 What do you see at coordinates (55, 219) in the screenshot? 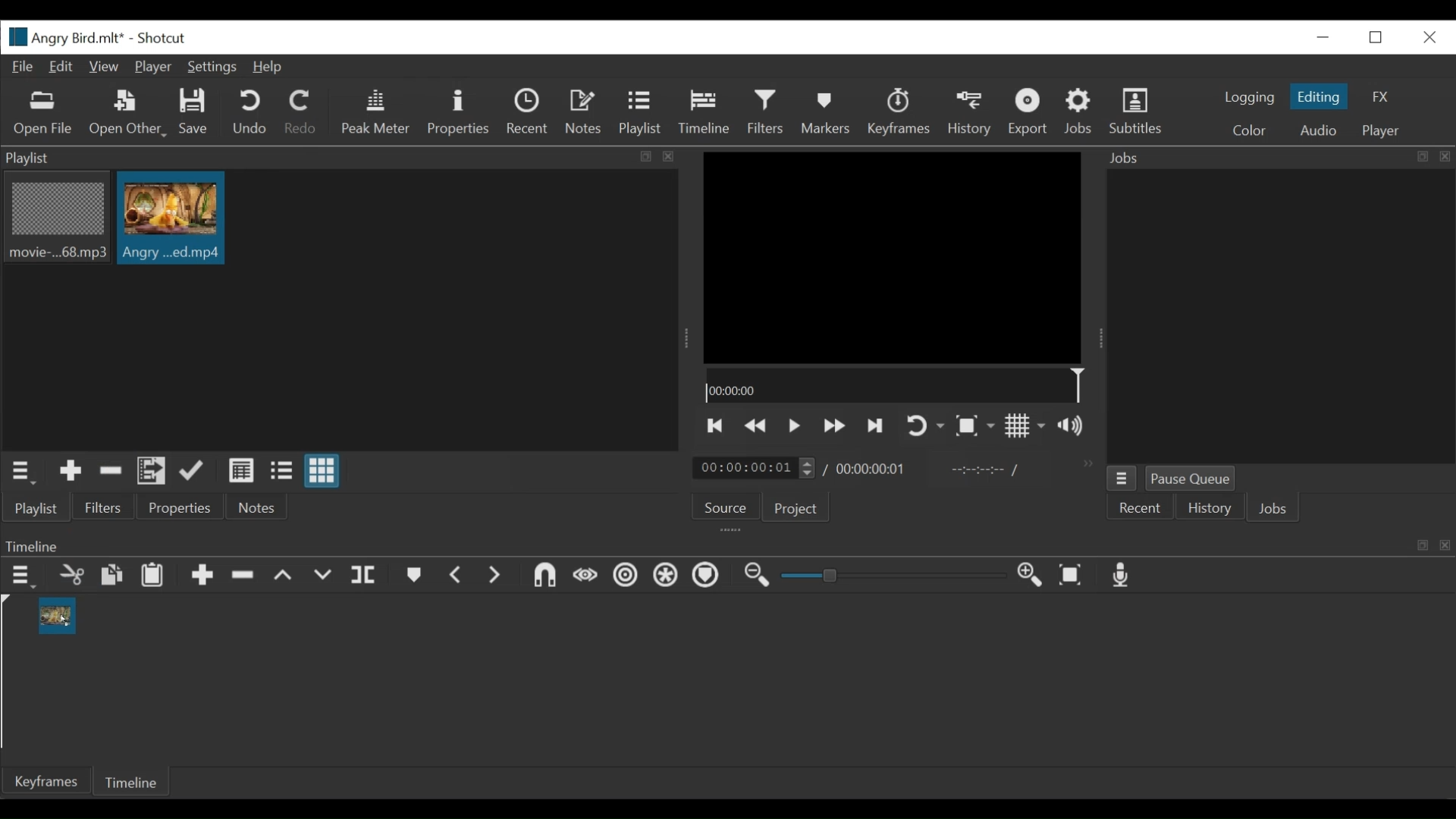
I see `Clip` at bounding box center [55, 219].